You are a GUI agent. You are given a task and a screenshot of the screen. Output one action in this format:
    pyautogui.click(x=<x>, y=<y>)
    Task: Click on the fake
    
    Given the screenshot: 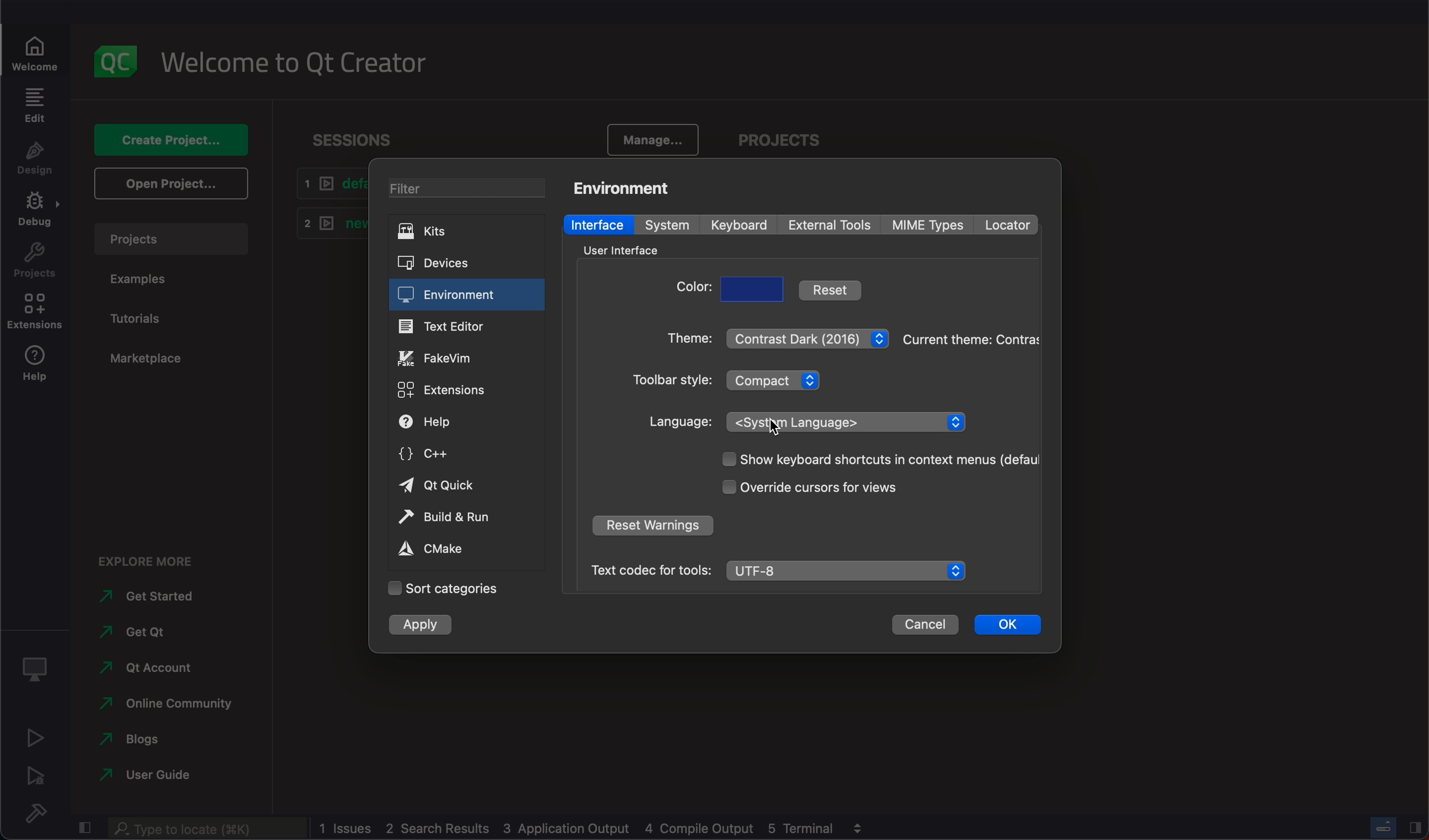 What is the action you would take?
    pyautogui.click(x=466, y=357)
    